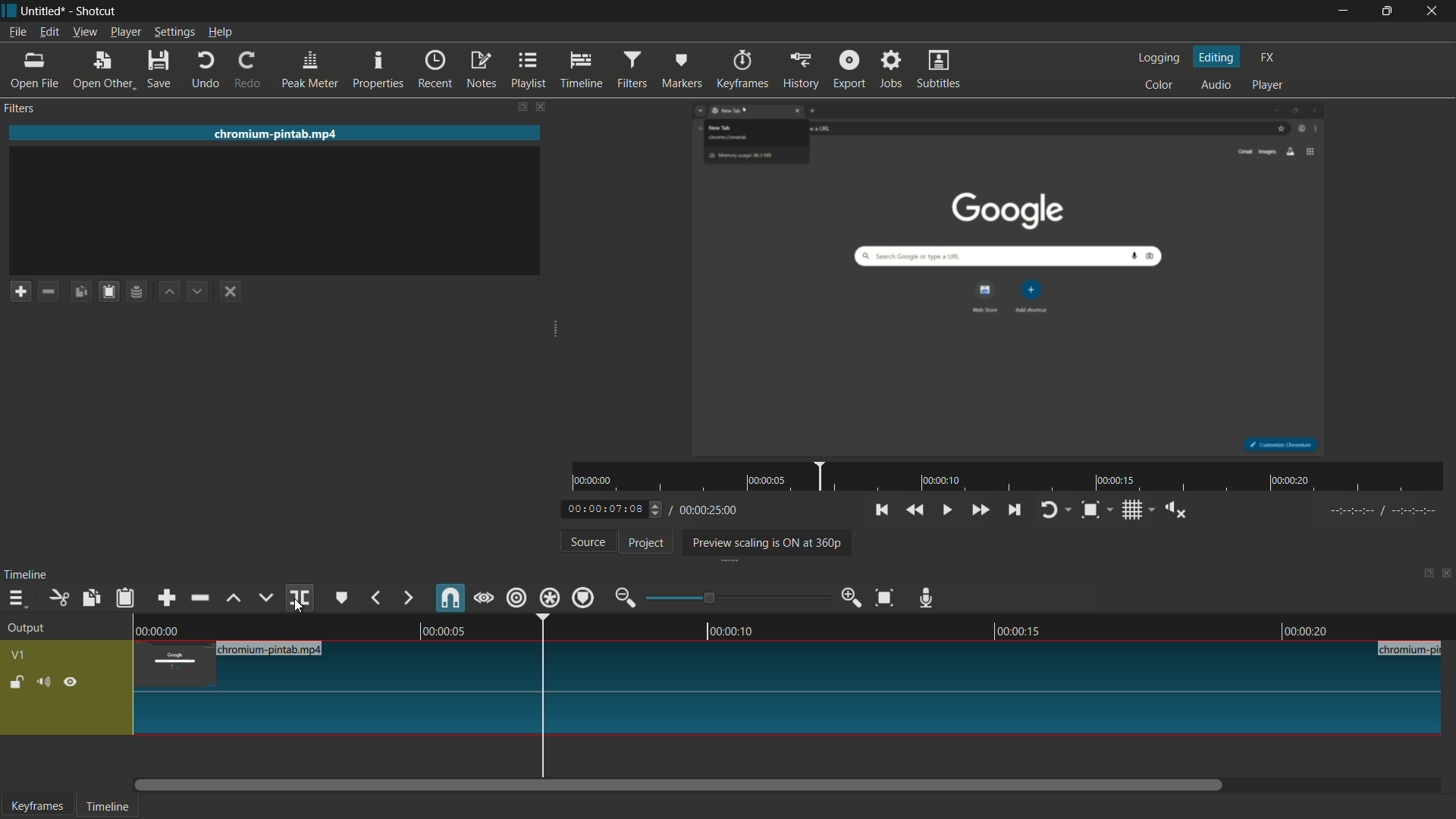 The width and height of the screenshot is (1456, 819). Describe the element at coordinates (440, 629) in the screenshot. I see `0.05` at that location.